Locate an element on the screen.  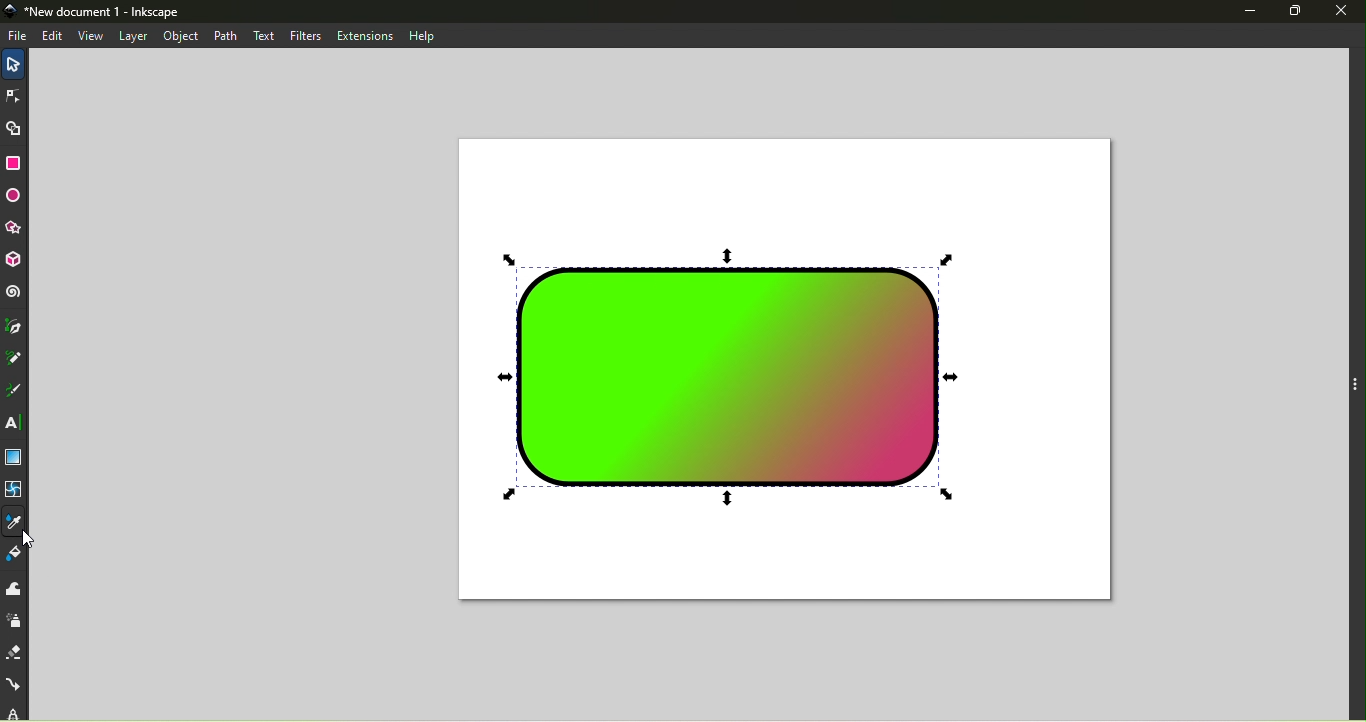
text is located at coordinates (262, 34).